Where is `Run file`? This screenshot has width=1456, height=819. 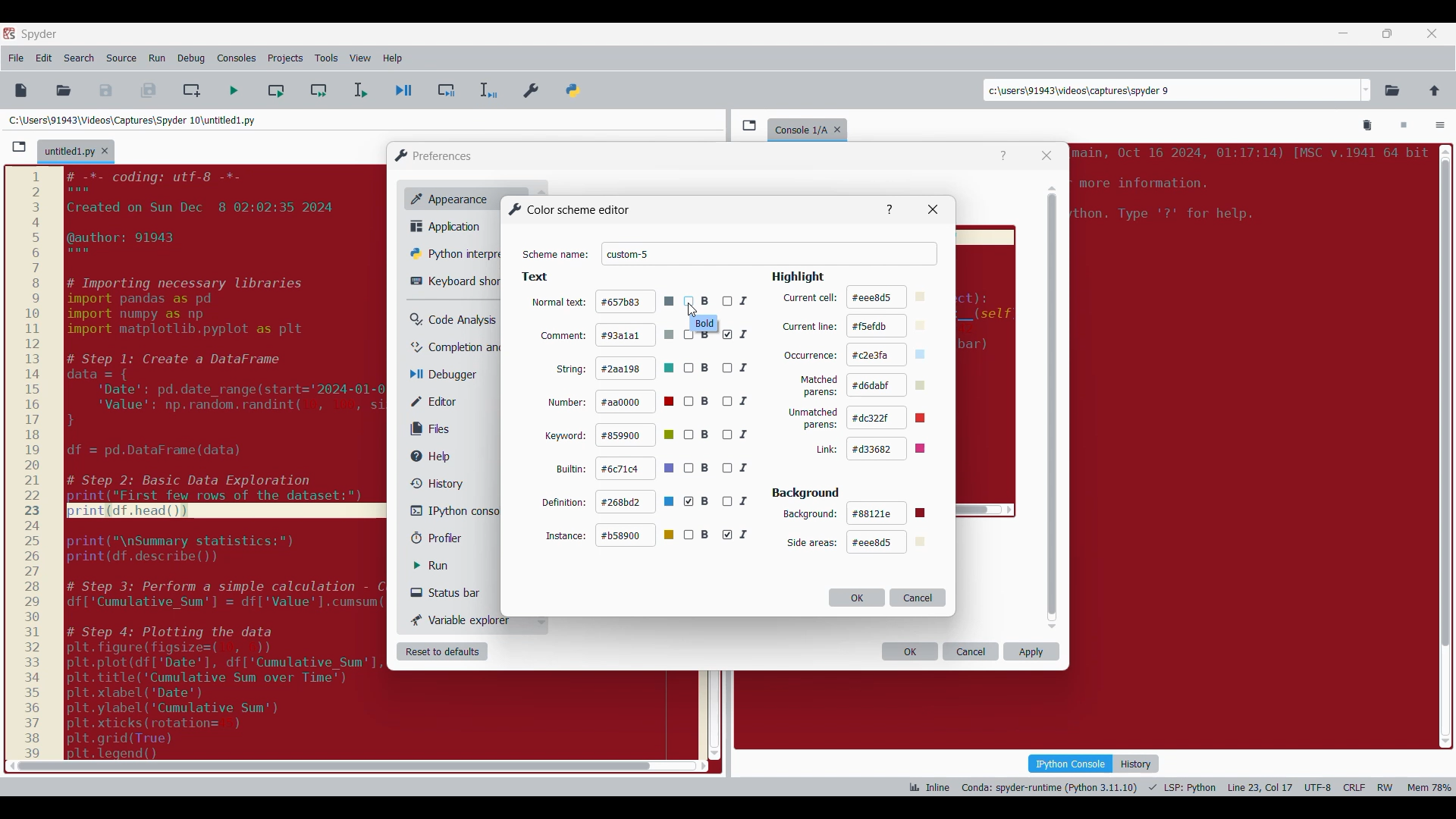 Run file is located at coordinates (234, 90).